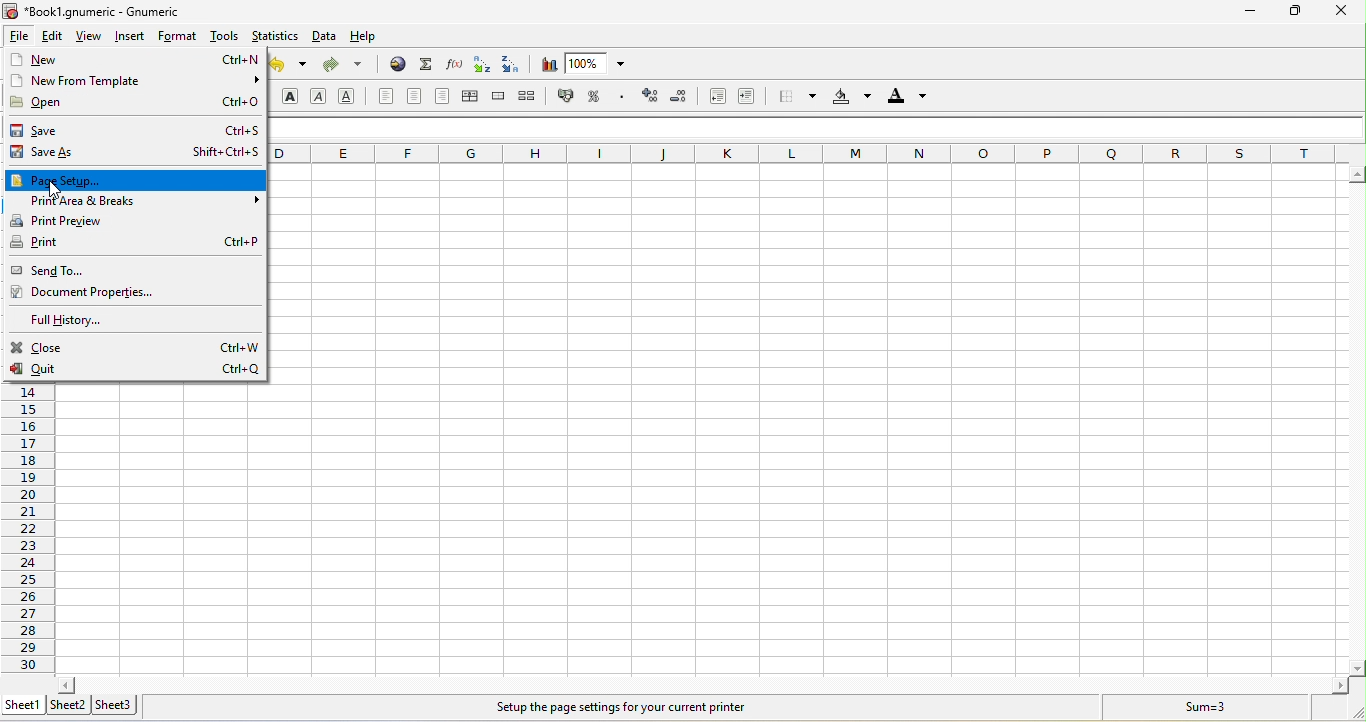 The height and width of the screenshot is (722, 1366). What do you see at coordinates (56, 36) in the screenshot?
I see `edit` at bounding box center [56, 36].